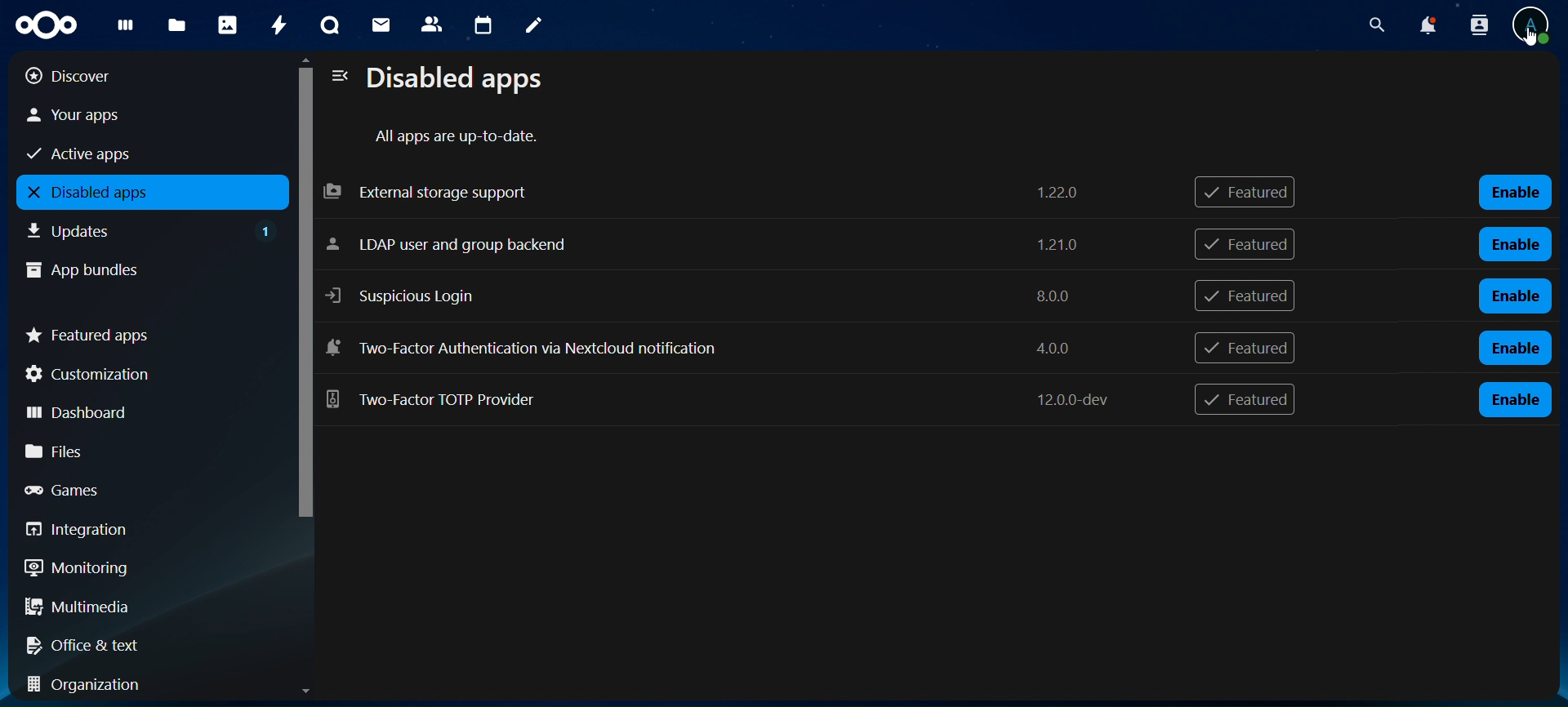 This screenshot has width=1568, height=707. What do you see at coordinates (140, 530) in the screenshot?
I see `integration` at bounding box center [140, 530].